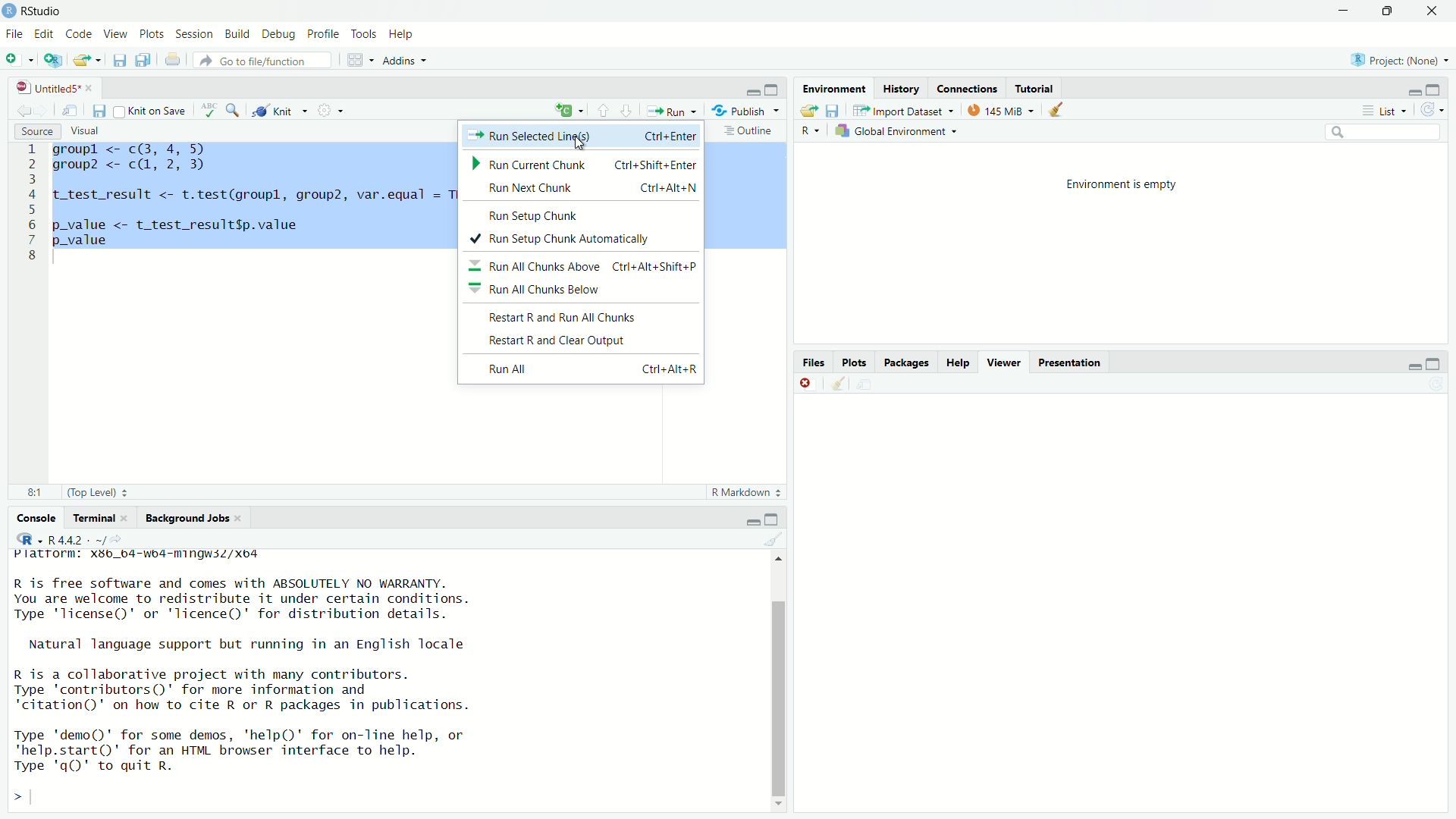 Image resolution: width=1456 pixels, height=819 pixels. I want to click on save current document, so click(120, 60).